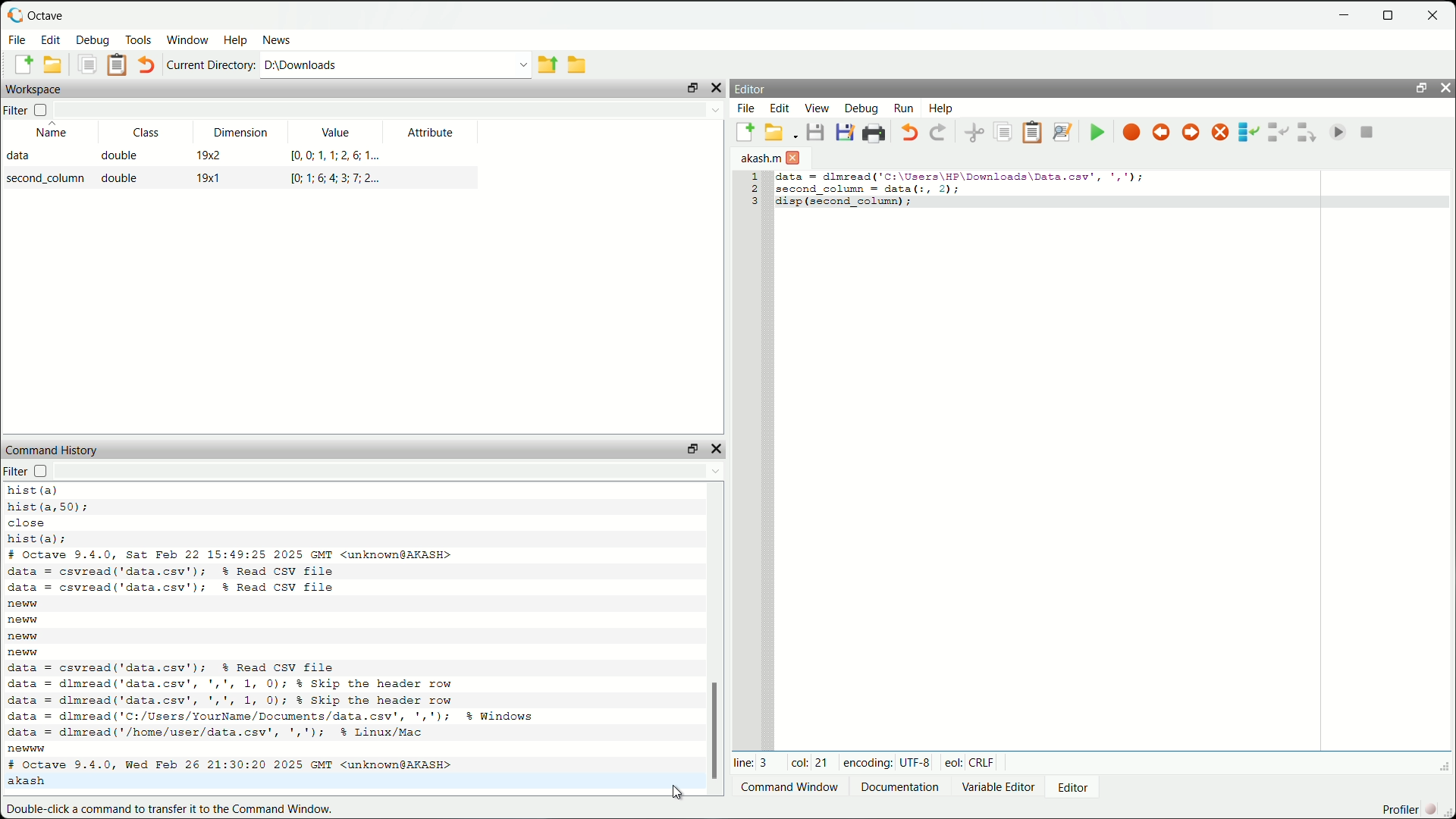 Image resolution: width=1456 pixels, height=819 pixels. Describe the element at coordinates (887, 761) in the screenshot. I see `encoding: UTF-8` at that location.